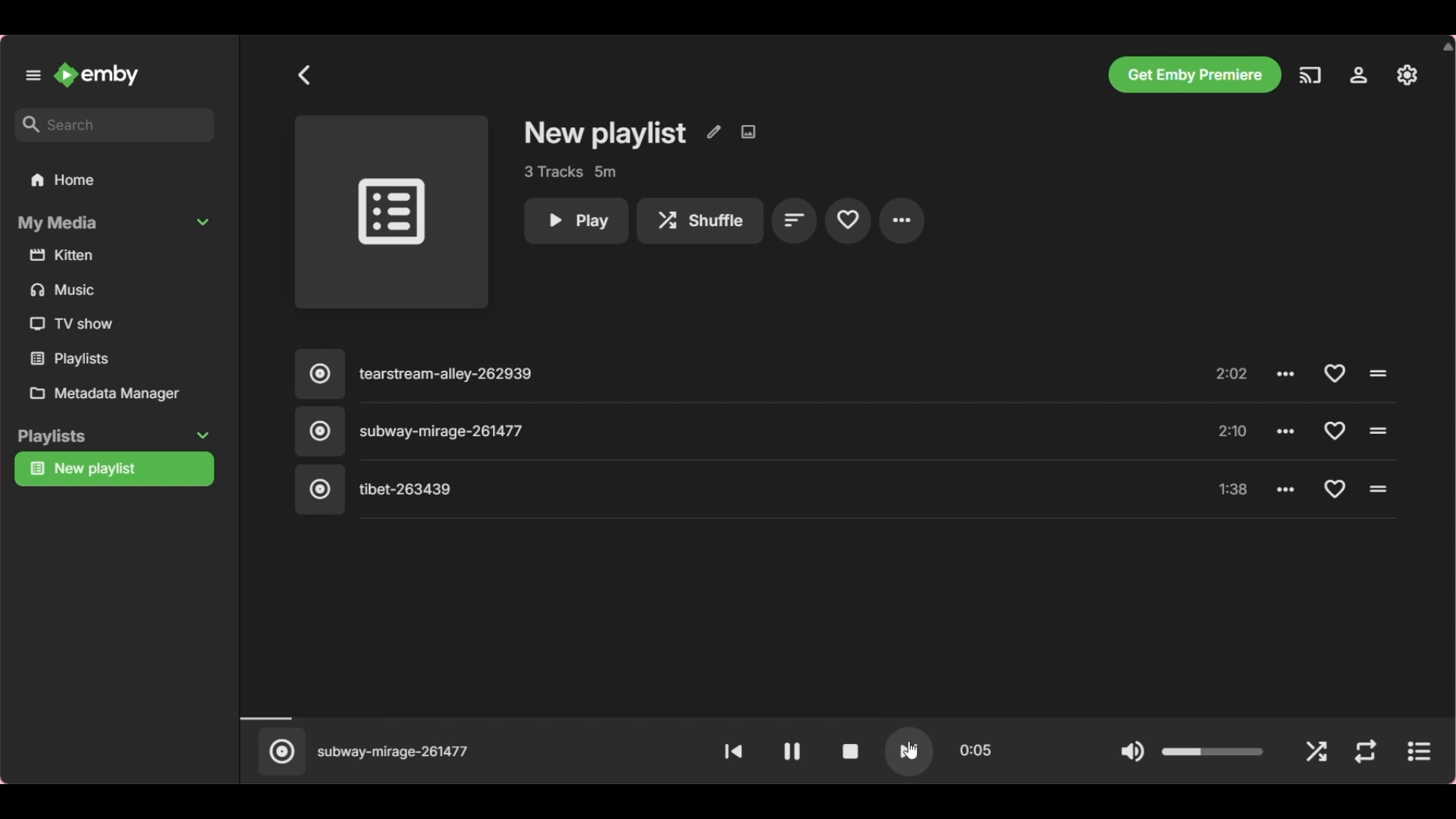 Image resolution: width=1456 pixels, height=819 pixels. Describe the element at coordinates (64, 256) in the screenshot. I see `kitten` at that location.